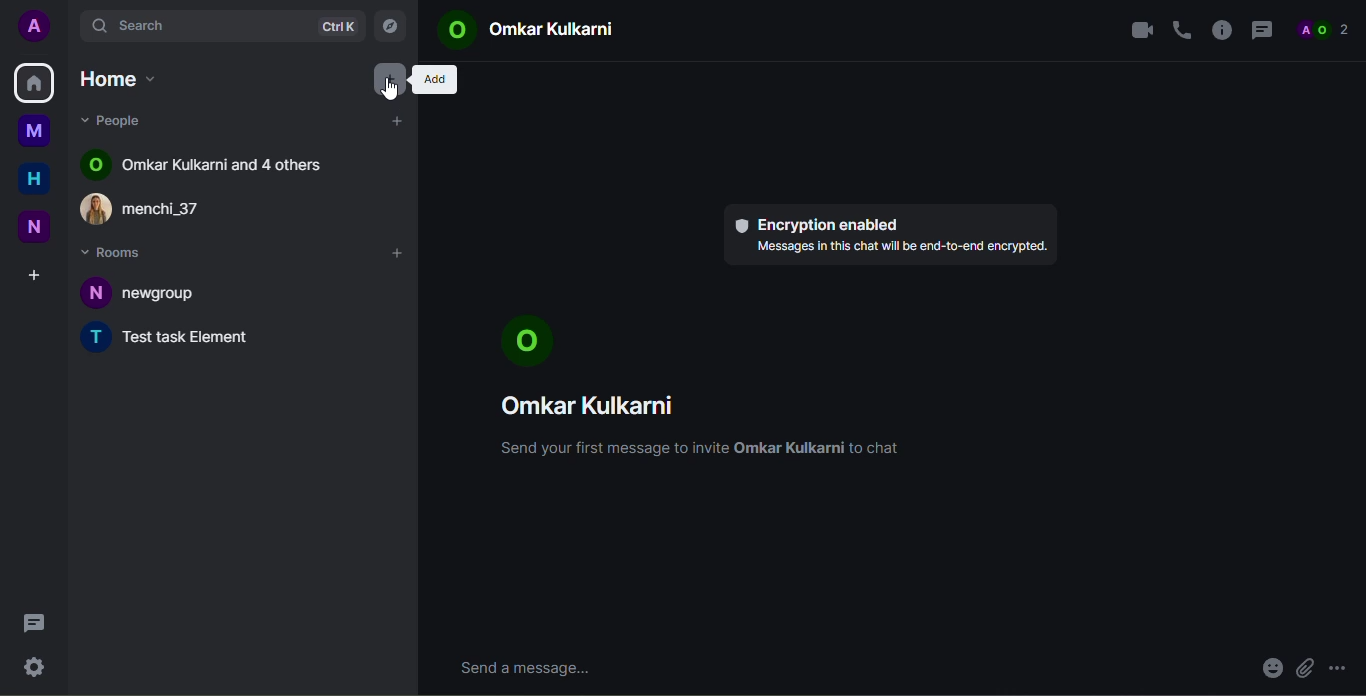 The height and width of the screenshot is (696, 1366). What do you see at coordinates (33, 664) in the screenshot?
I see `quick settings` at bounding box center [33, 664].